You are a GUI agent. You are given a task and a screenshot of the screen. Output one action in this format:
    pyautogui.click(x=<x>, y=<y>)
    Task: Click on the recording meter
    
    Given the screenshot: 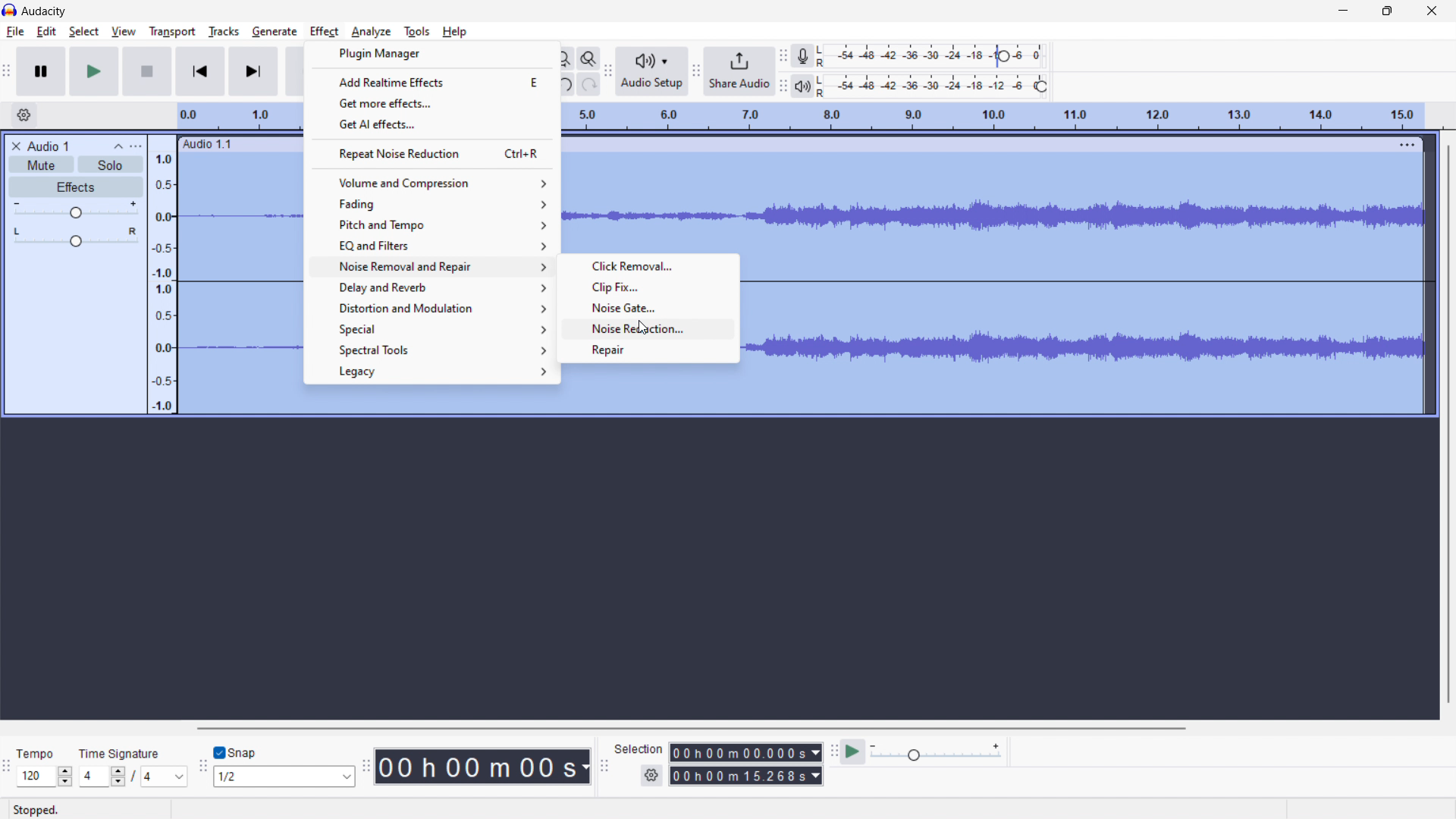 What is the action you would take?
    pyautogui.click(x=802, y=57)
    